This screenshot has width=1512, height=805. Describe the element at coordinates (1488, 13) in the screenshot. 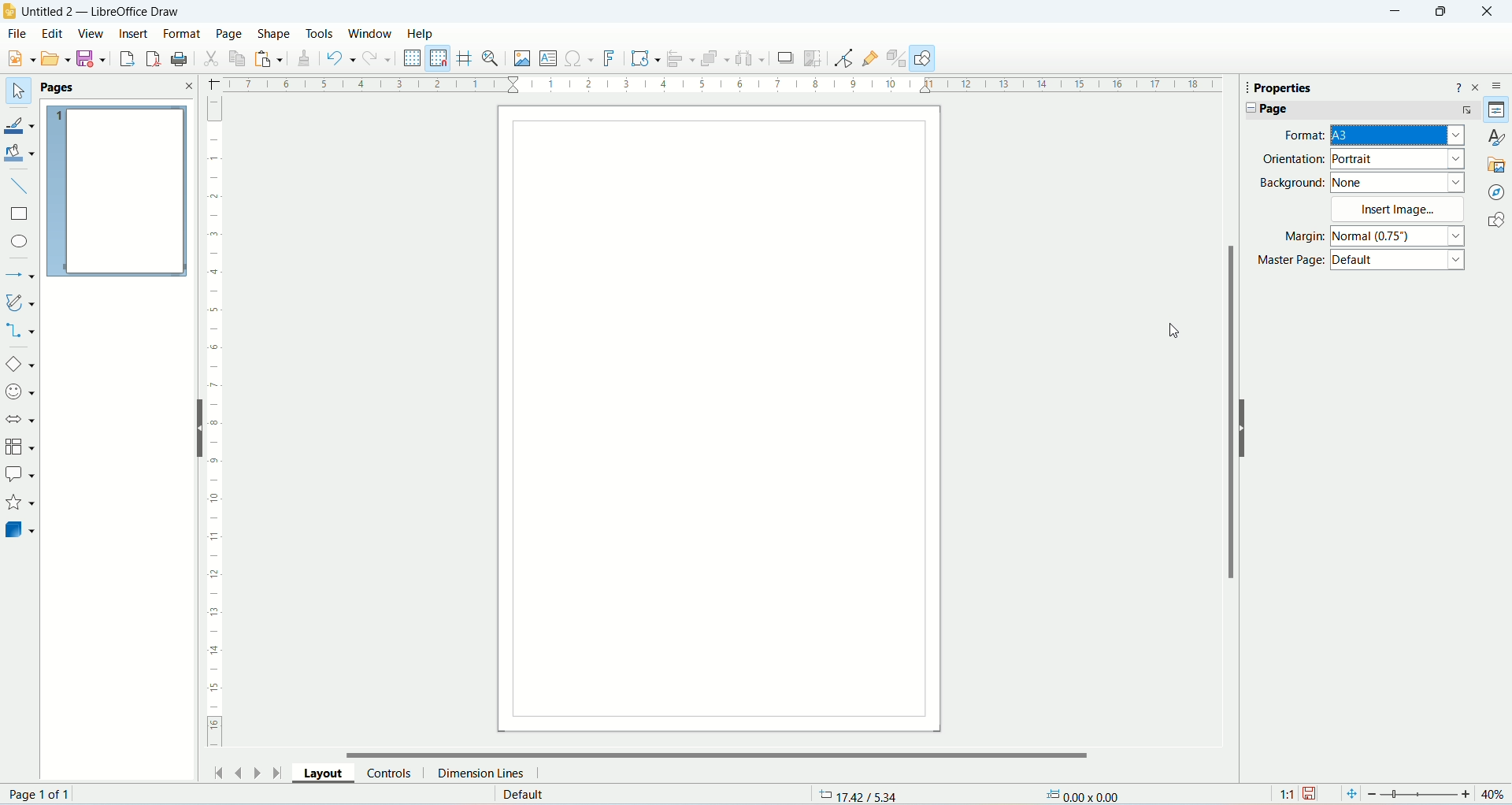

I see `close` at that location.